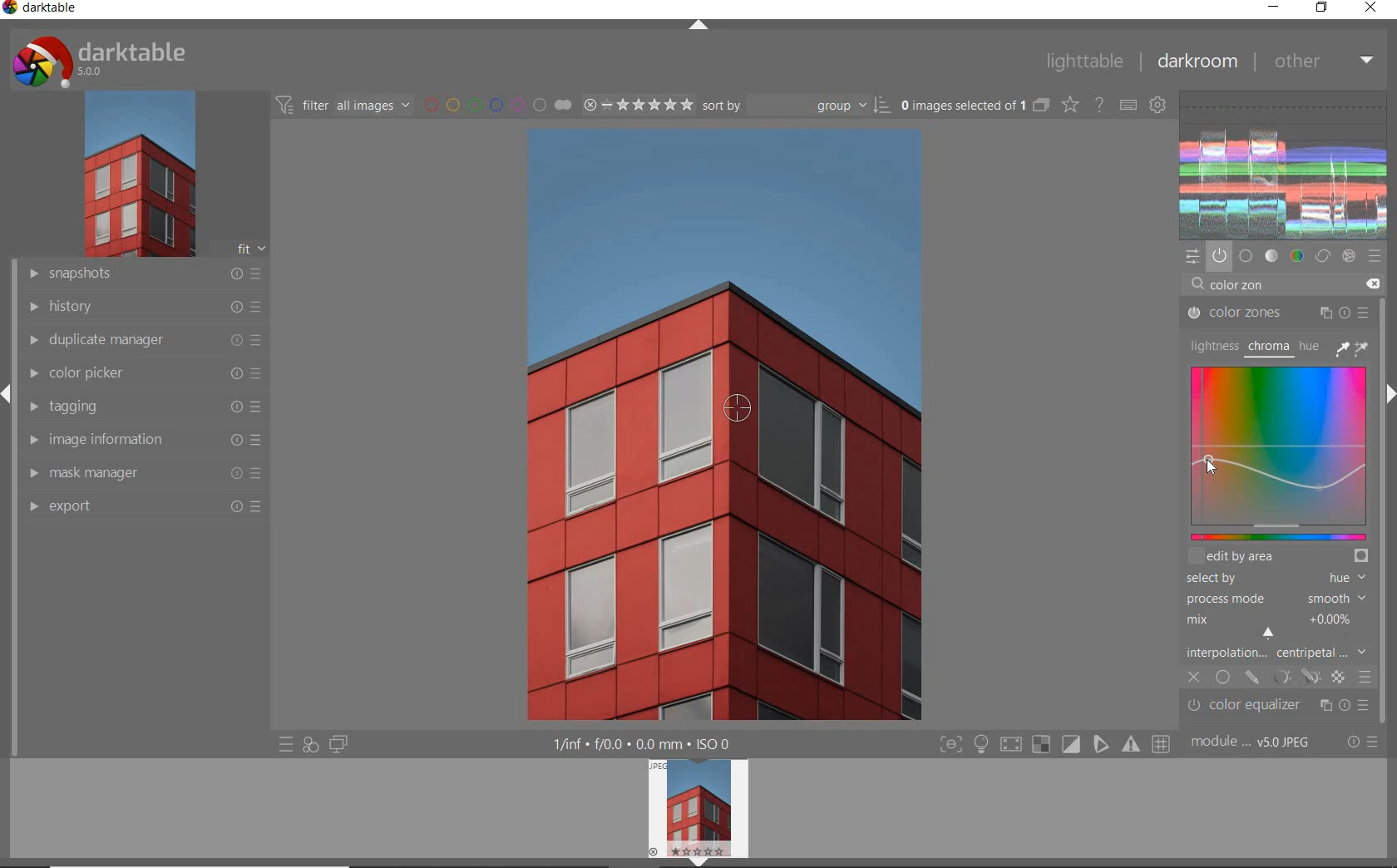  I want to click on system logo & name, so click(102, 62).